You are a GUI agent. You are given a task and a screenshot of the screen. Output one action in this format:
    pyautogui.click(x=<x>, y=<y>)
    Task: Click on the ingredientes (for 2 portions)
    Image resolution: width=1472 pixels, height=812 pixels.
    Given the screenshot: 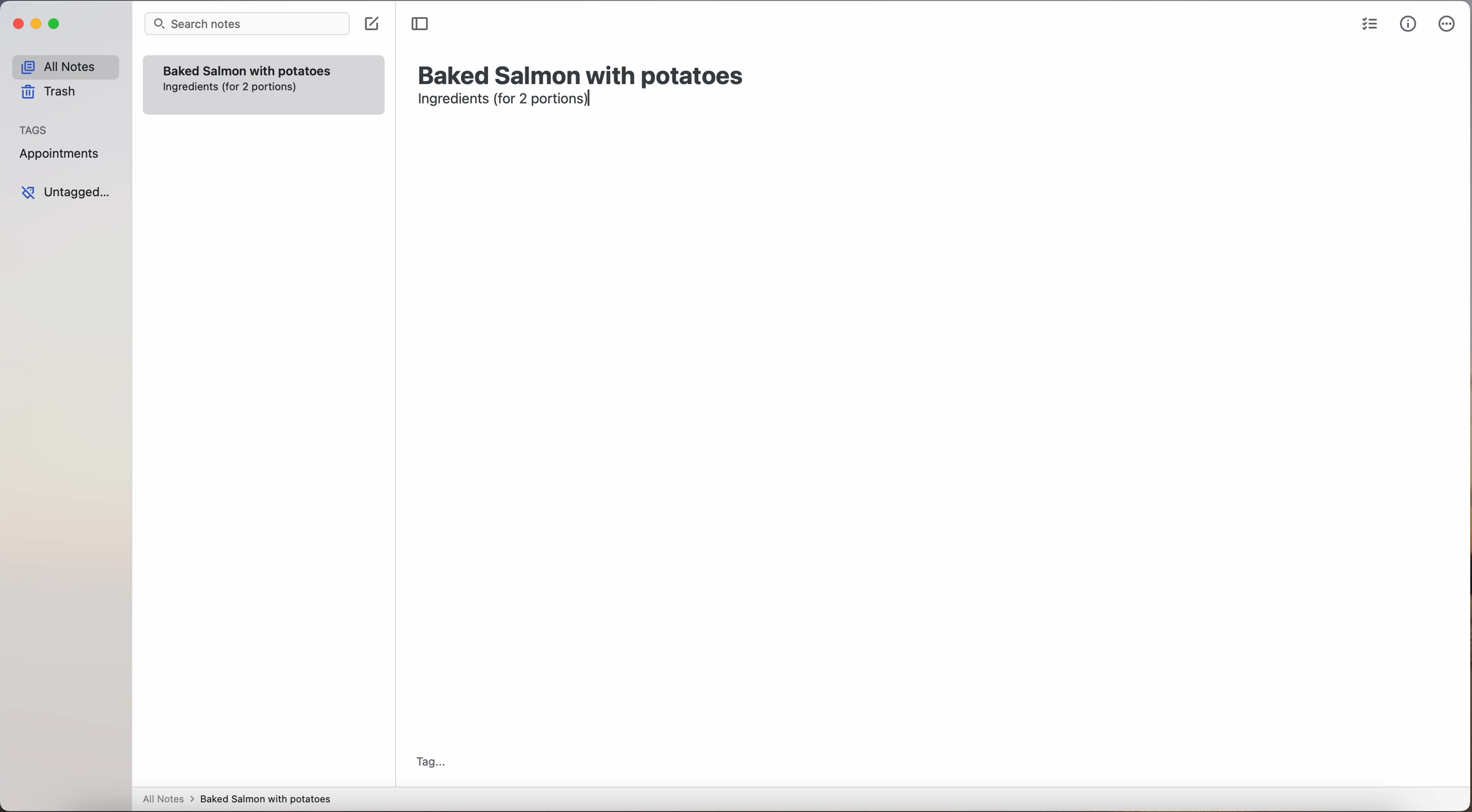 What is the action you would take?
    pyautogui.click(x=231, y=87)
    